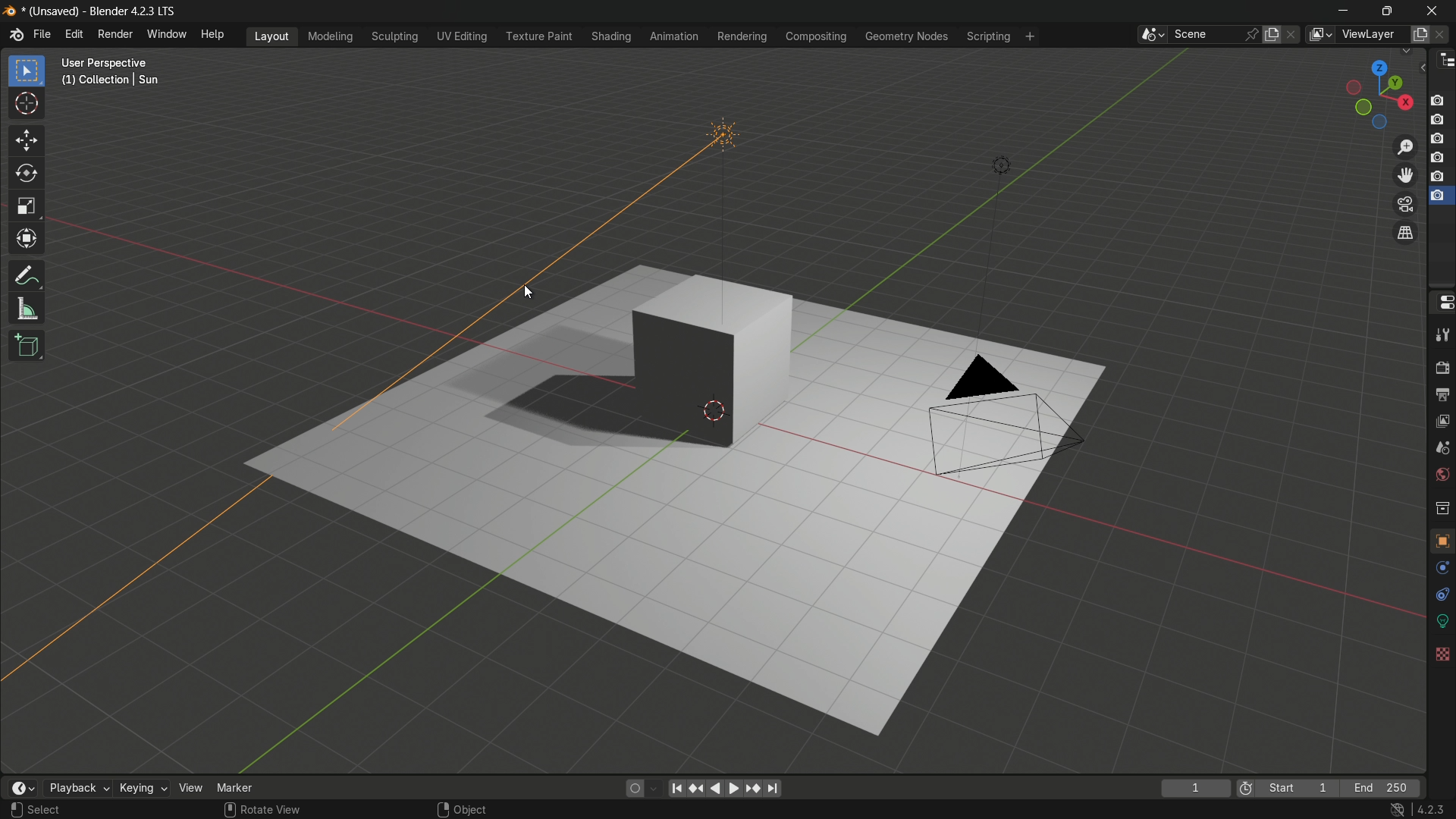 This screenshot has width=1456, height=819. I want to click on 4.2.3, so click(1430, 809).